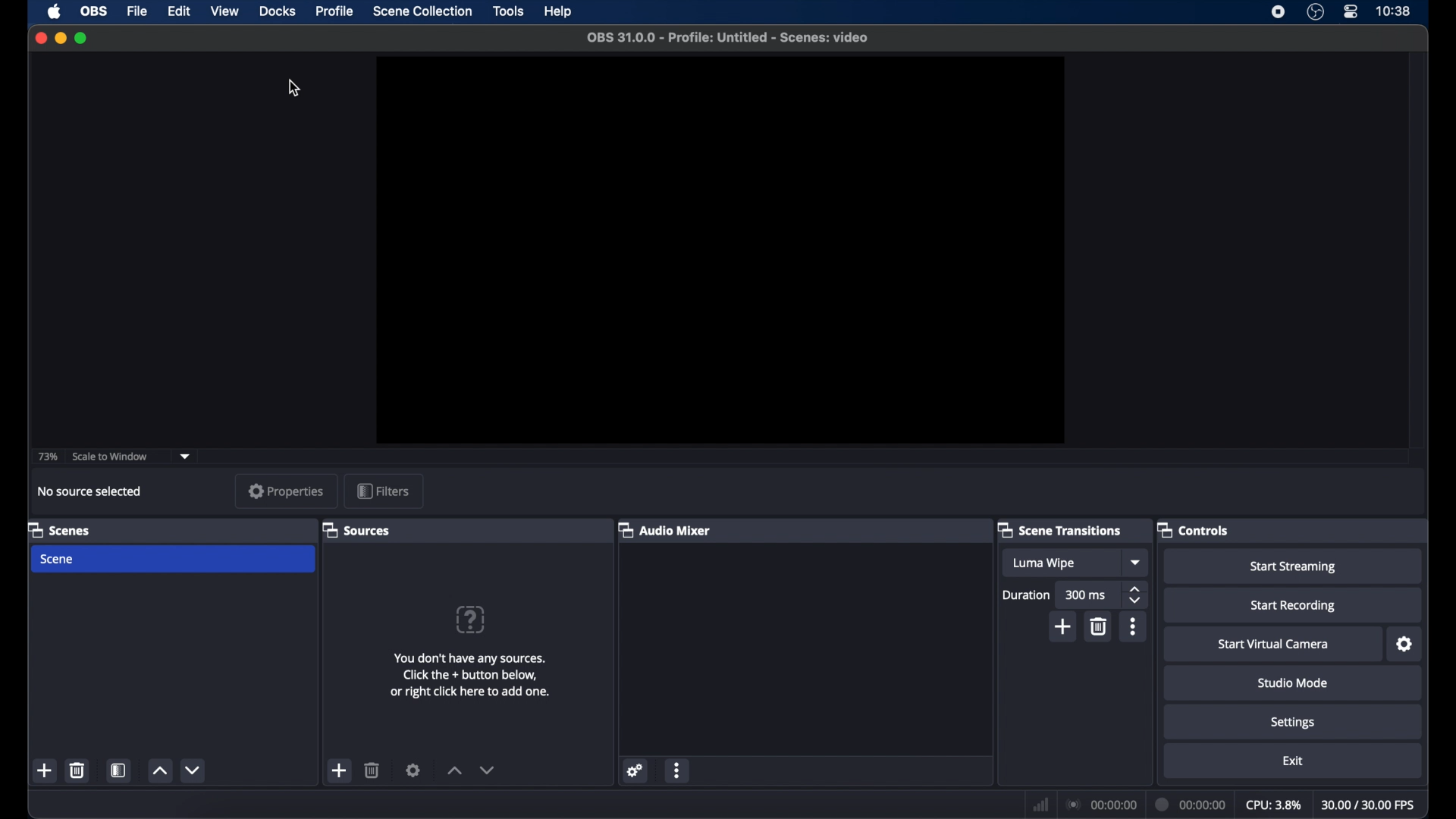  Describe the element at coordinates (60, 37) in the screenshot. I see `minimize` at that location.